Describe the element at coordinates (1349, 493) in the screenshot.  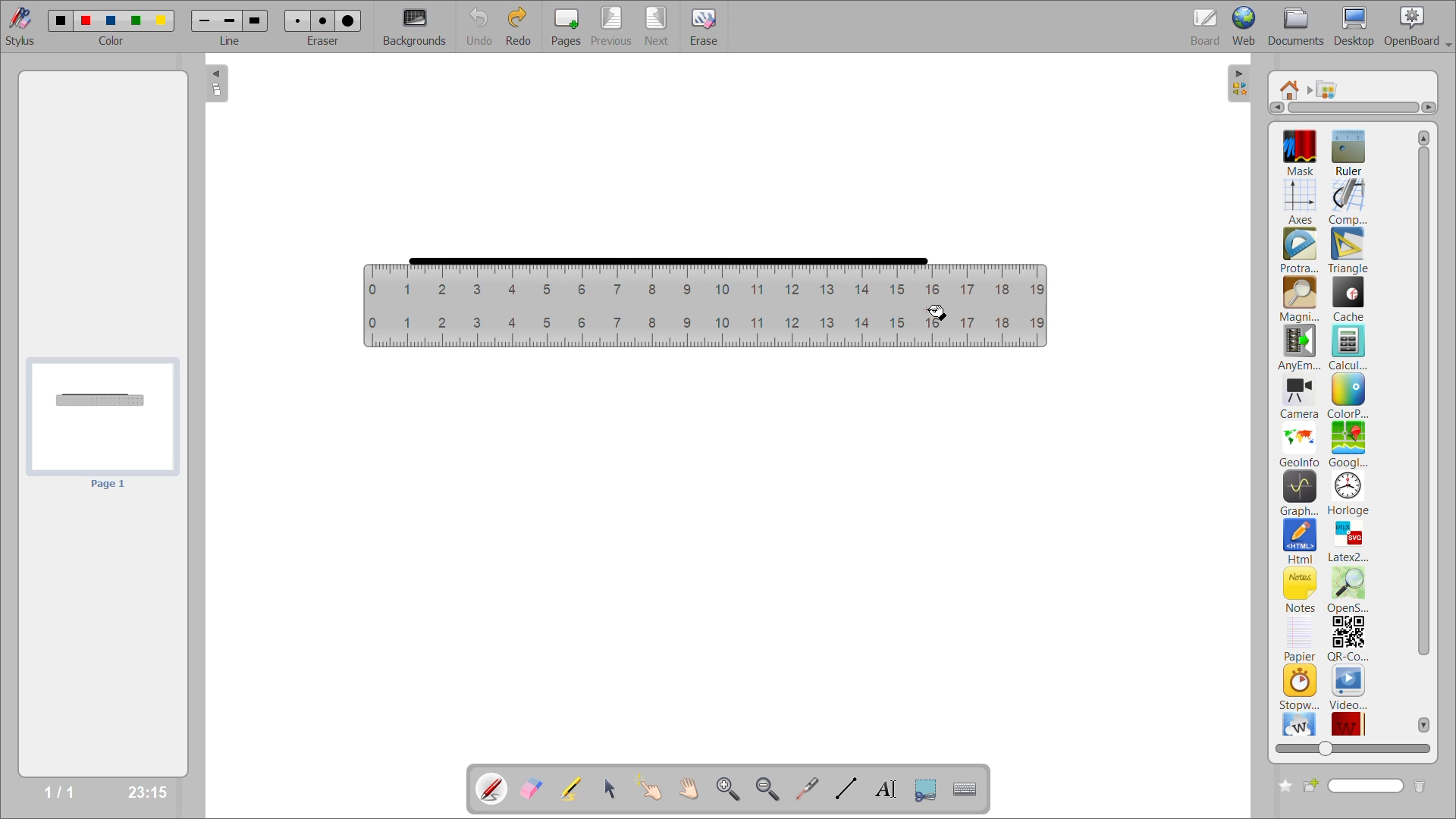
I see `horloge` at that location.